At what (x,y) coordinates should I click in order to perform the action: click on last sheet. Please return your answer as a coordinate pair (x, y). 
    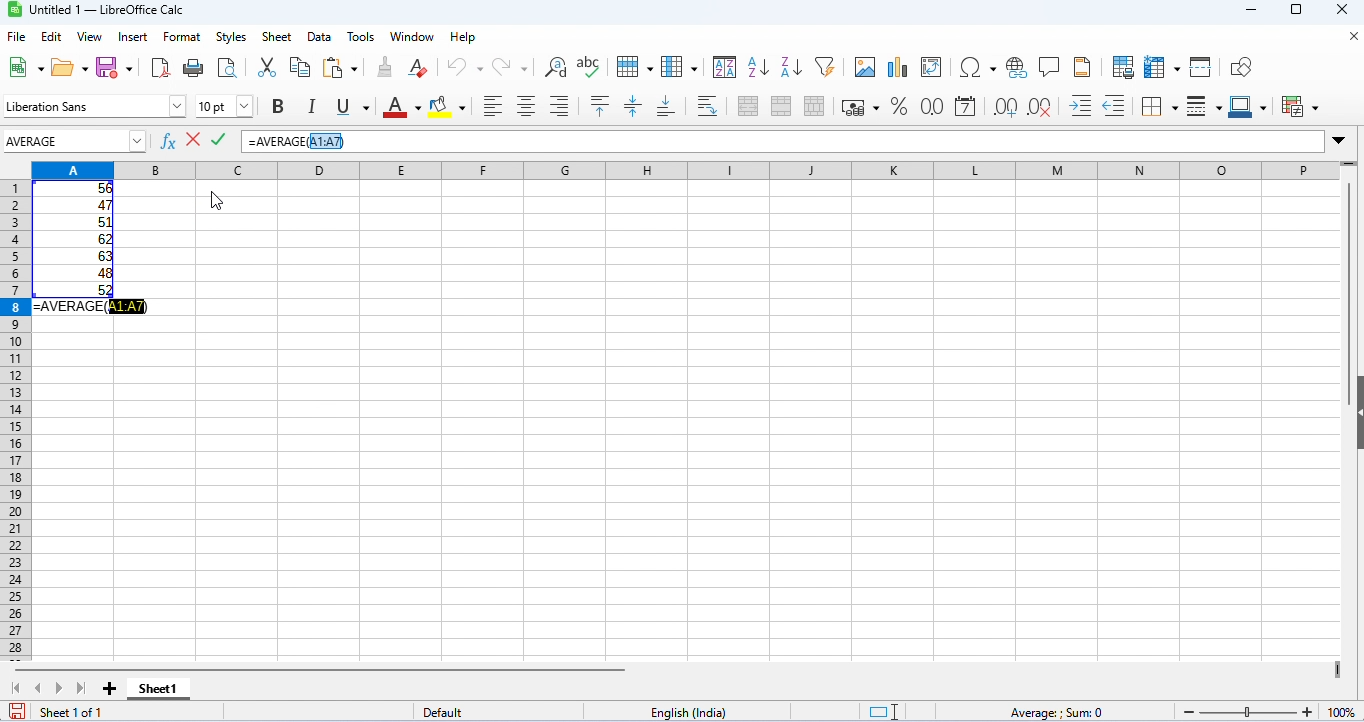
    Looking at the image, I should click on (81, 688).